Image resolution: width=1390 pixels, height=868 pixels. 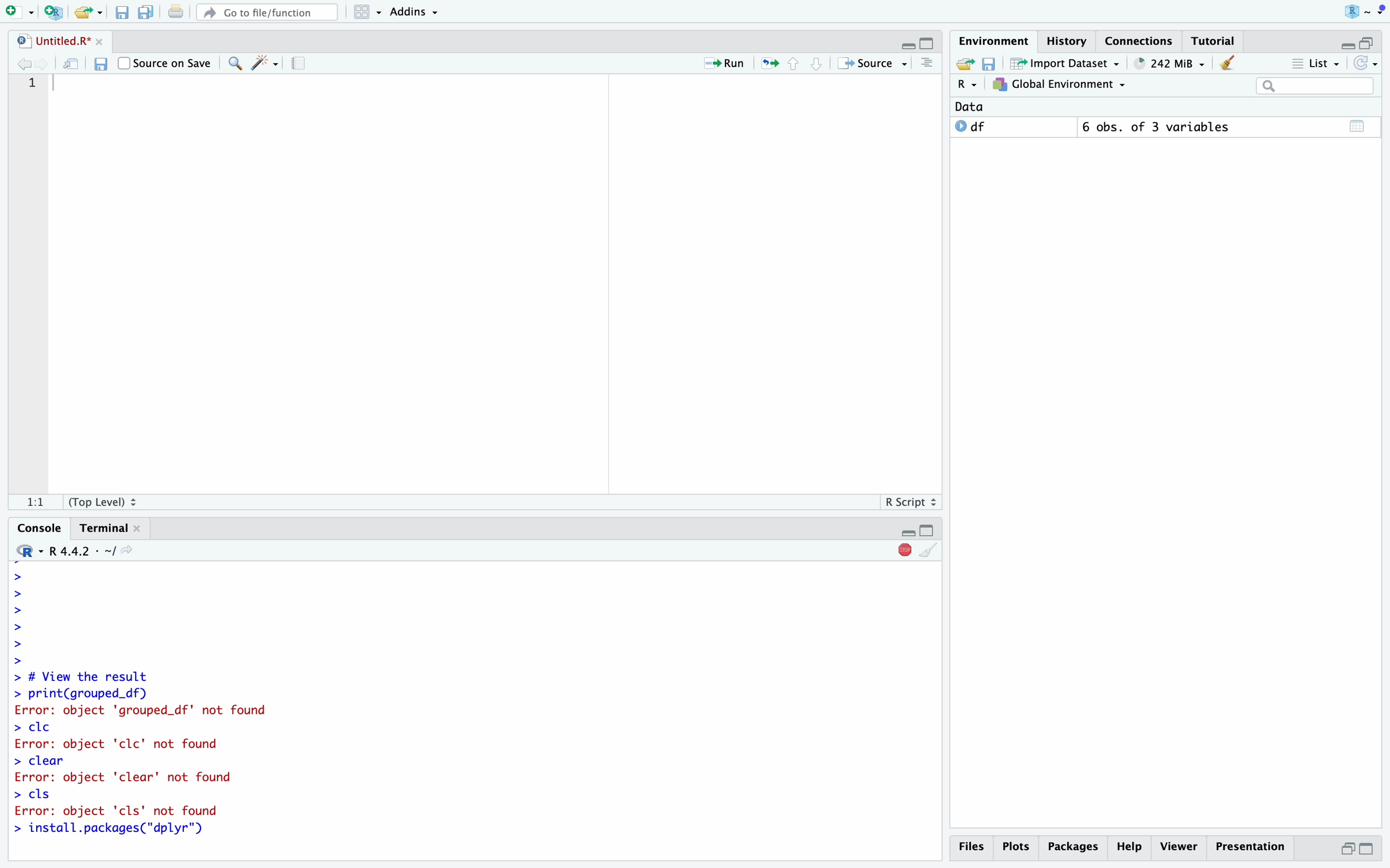 What do you see at coordinates (176, 11) in the screenshot?
I see `Print` at bounding box center [176, 11].